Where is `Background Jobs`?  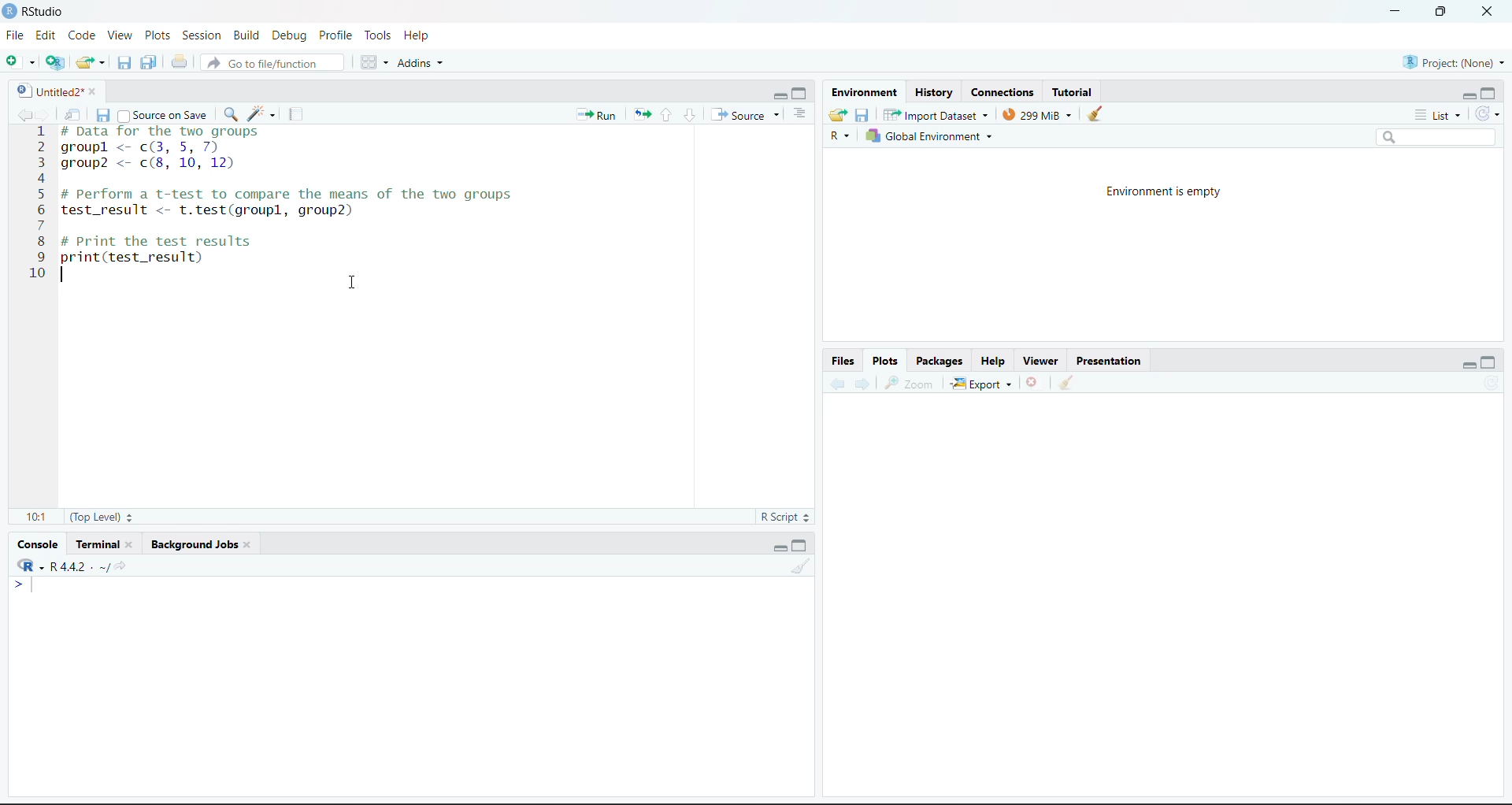 Background Jobs is located at coordinates (195, 546).